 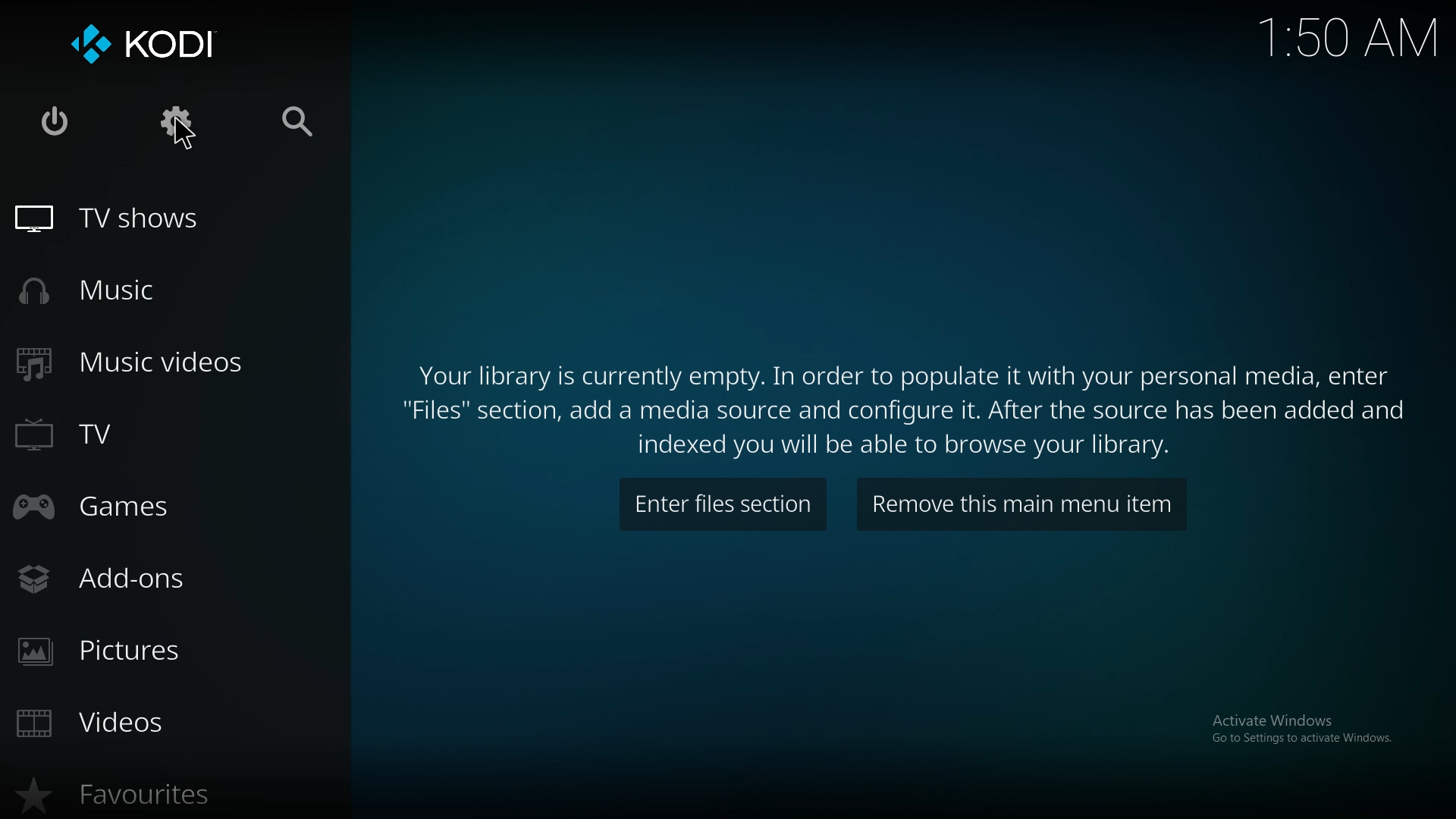 I want to click on enter files section, so click(x=719, y=505).